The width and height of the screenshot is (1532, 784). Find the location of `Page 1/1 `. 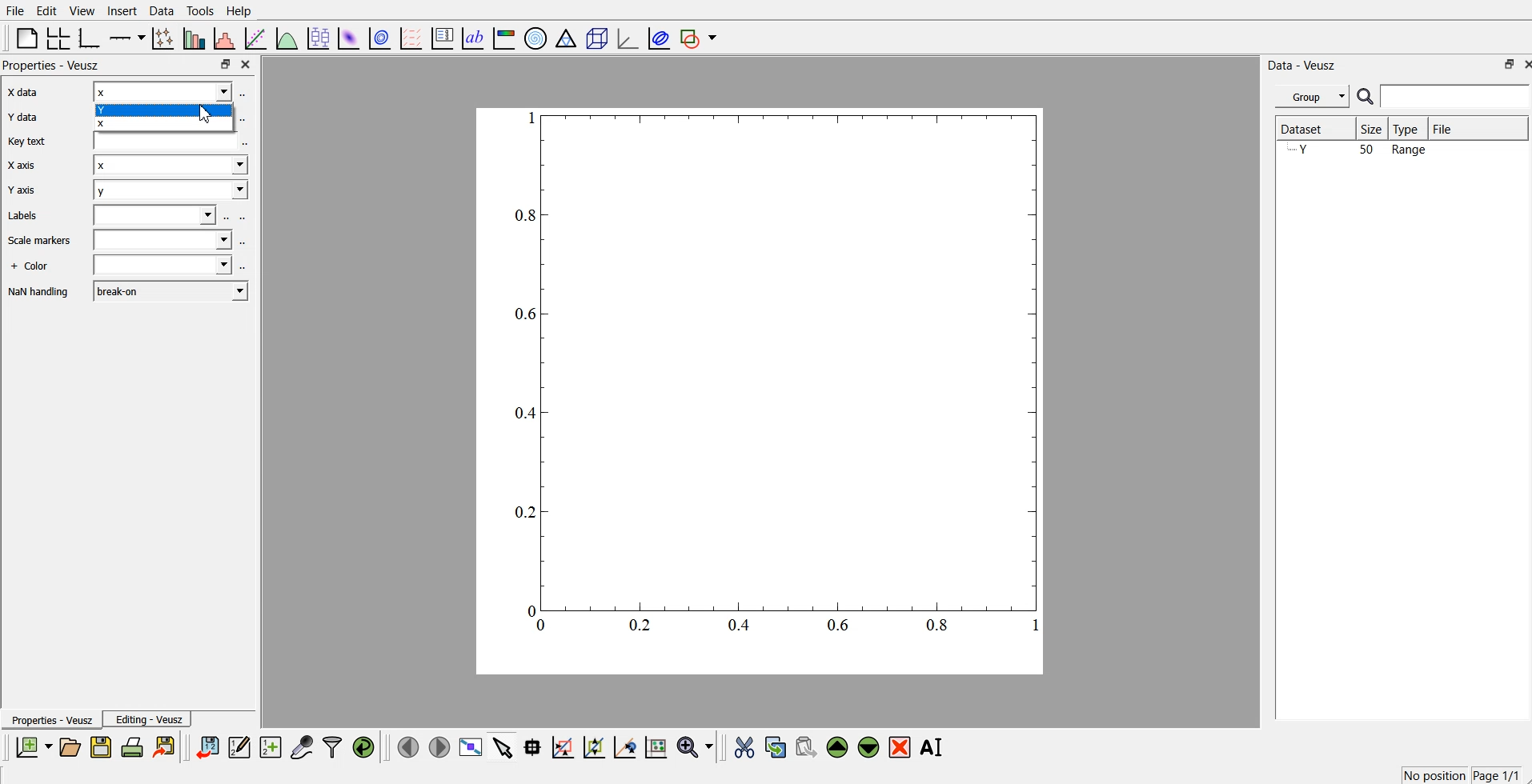

Page 1/1  is located at coordinates (1496, 774).